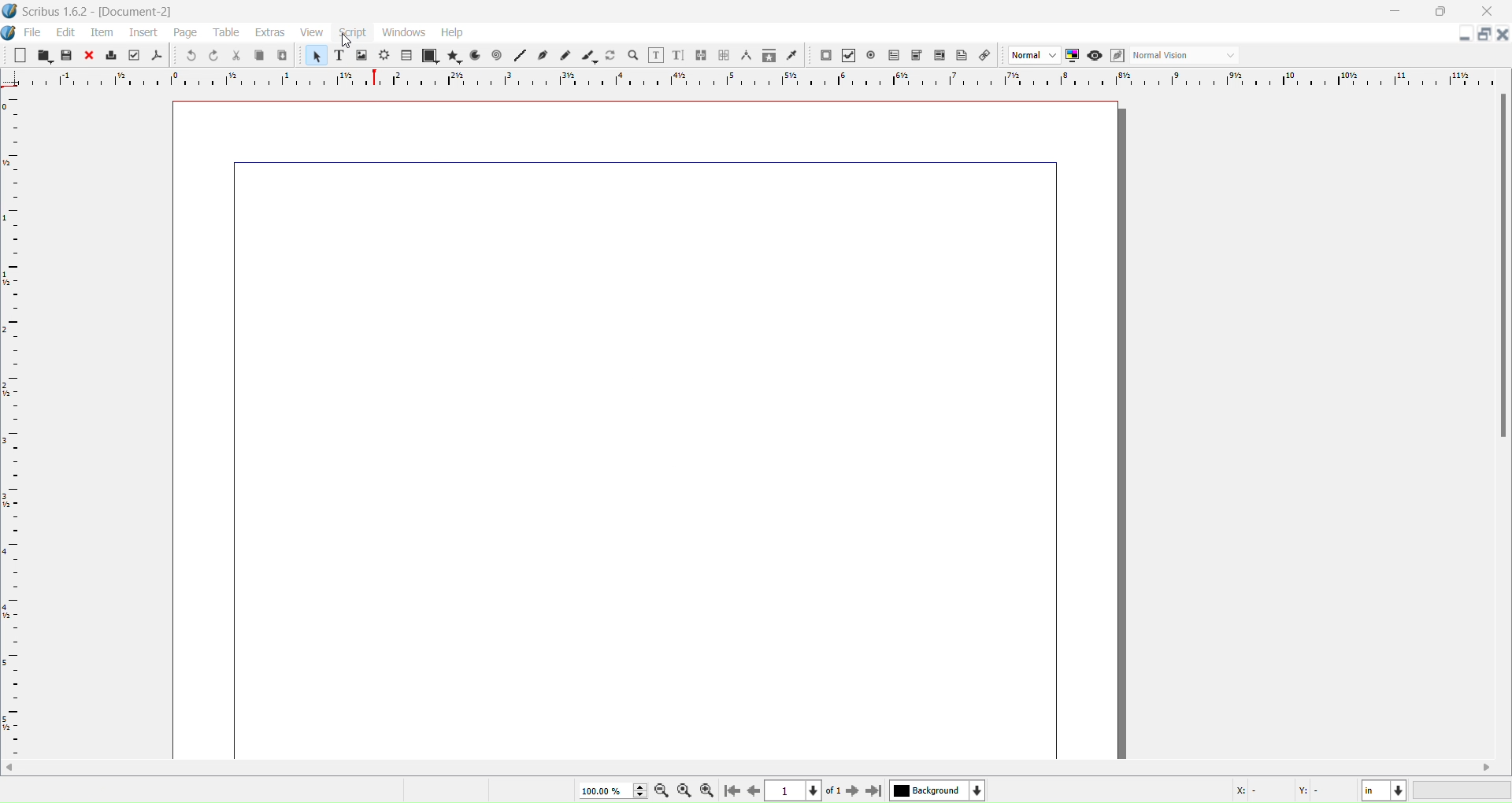 The height and width of the screenshot is (803, 1512). Describe the element at coordinates (346, 44) in the screenshot. I see `` at that location.